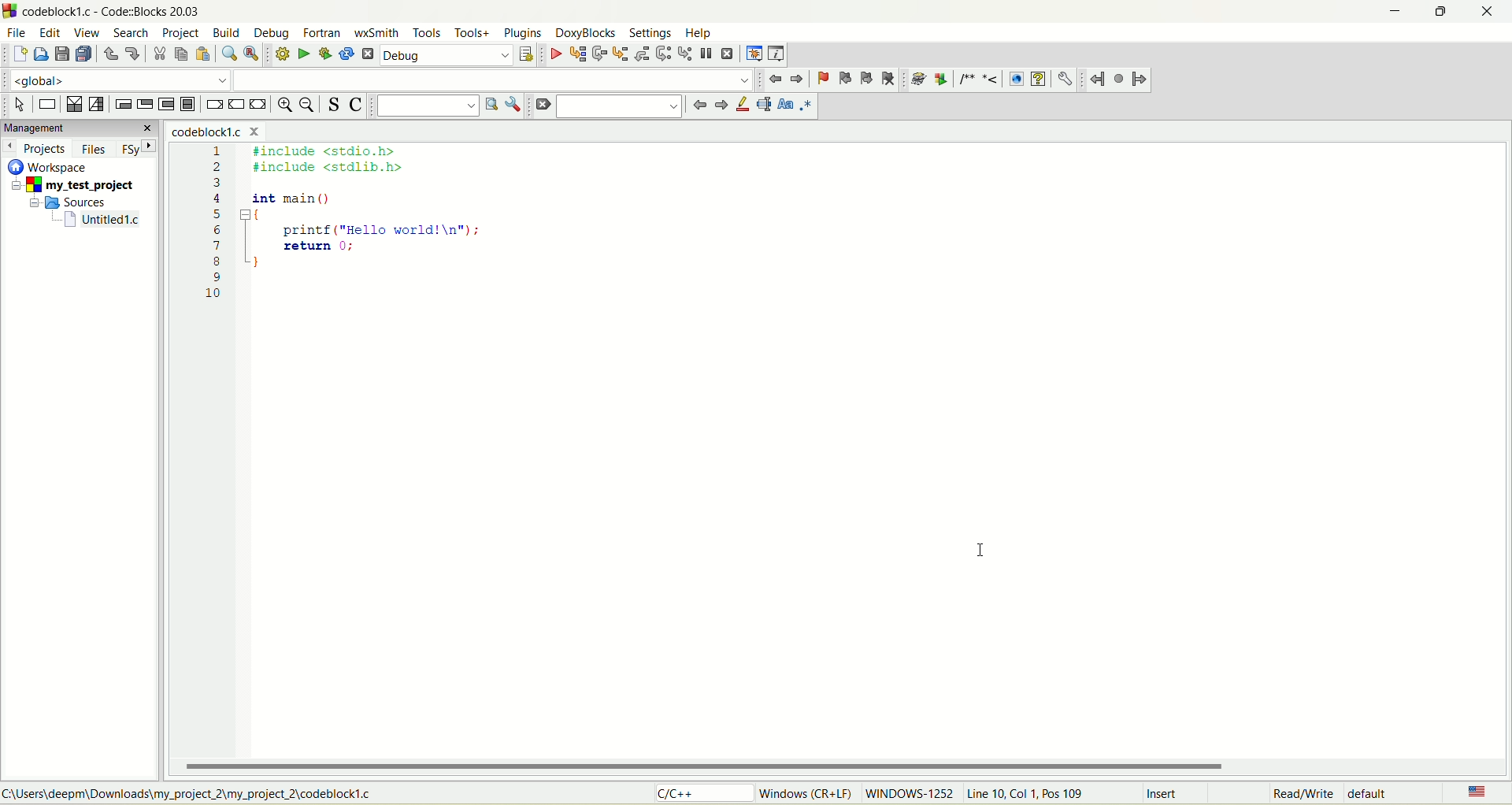 The image size is (1512, 805). I want to click on horizontal scroll bar, so click(842, 766).